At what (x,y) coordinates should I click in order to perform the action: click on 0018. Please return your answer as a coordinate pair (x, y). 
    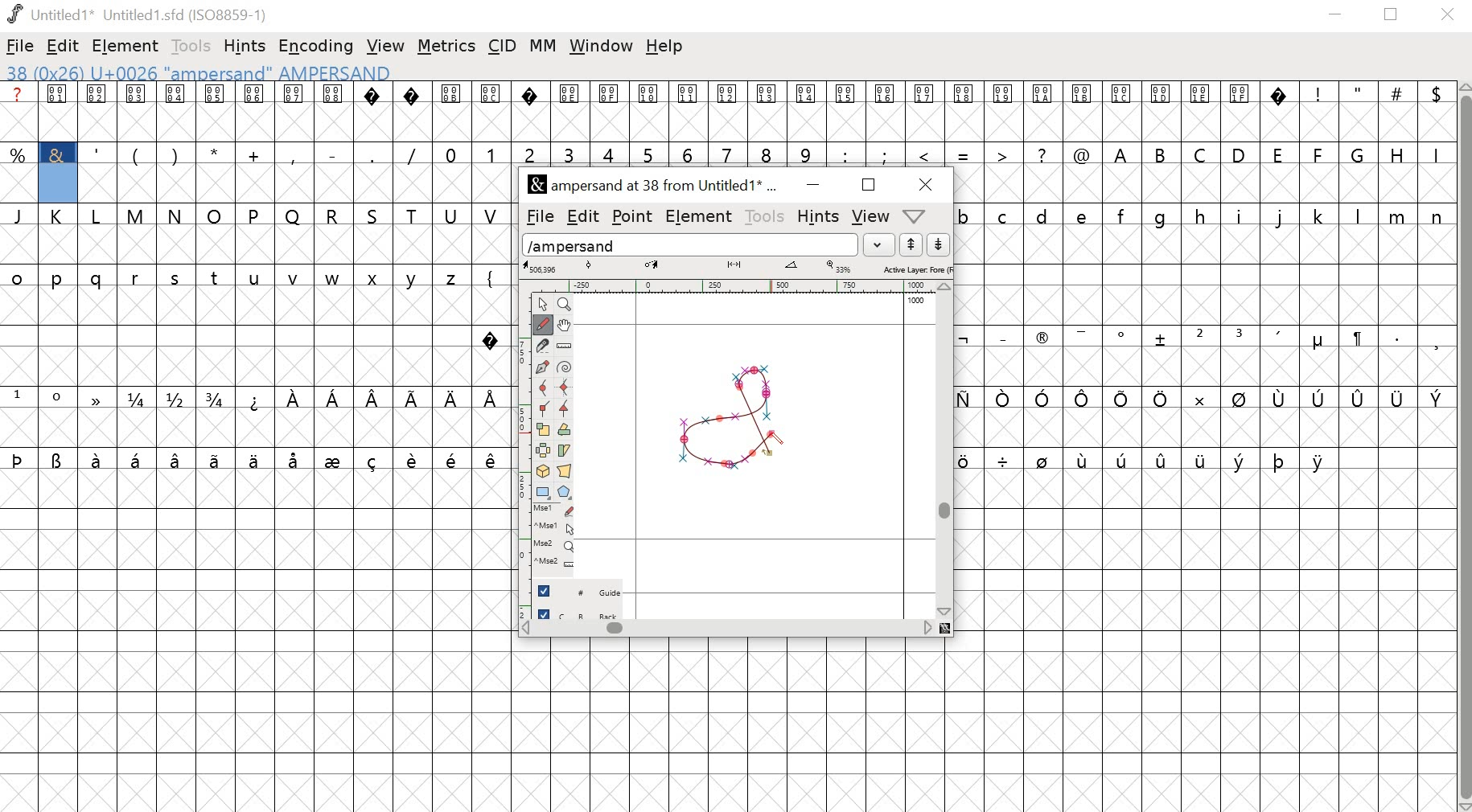
    Looking at the image, I should click on (965, 112).